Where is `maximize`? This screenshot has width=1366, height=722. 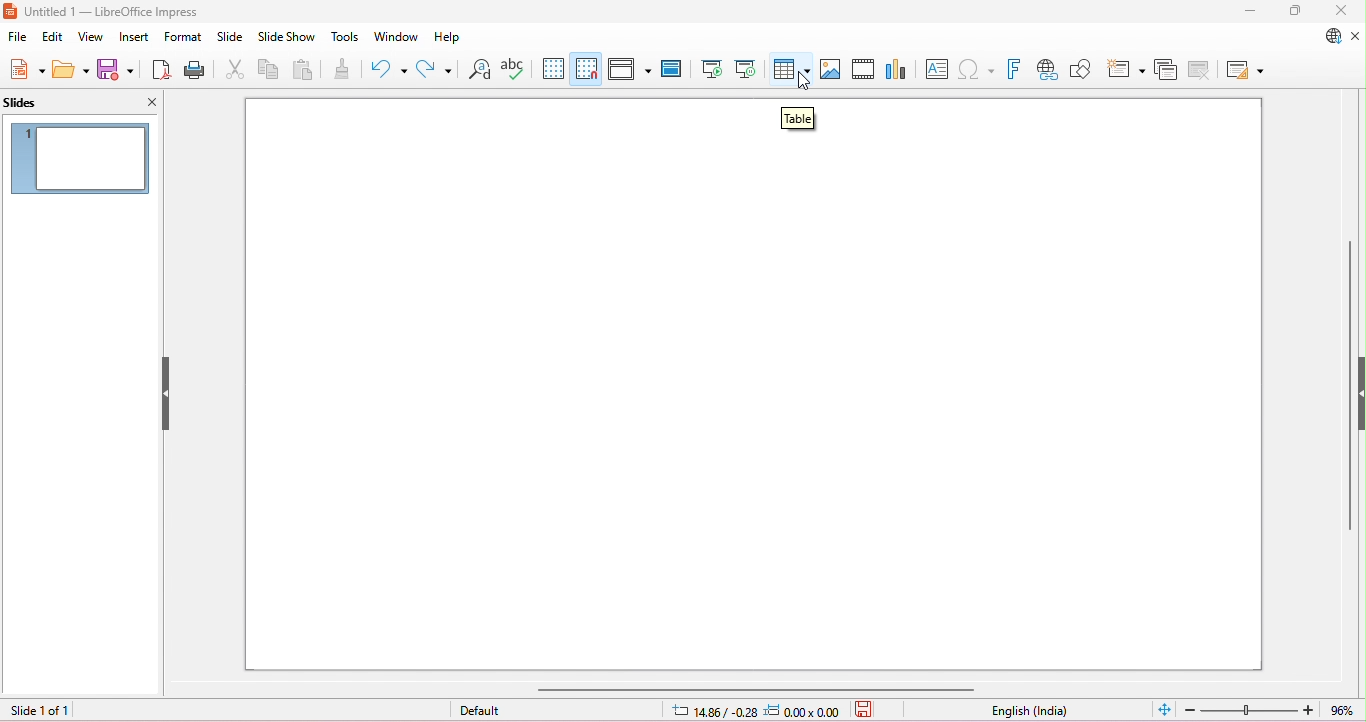
maximize is located at coordinates (1294, 11).